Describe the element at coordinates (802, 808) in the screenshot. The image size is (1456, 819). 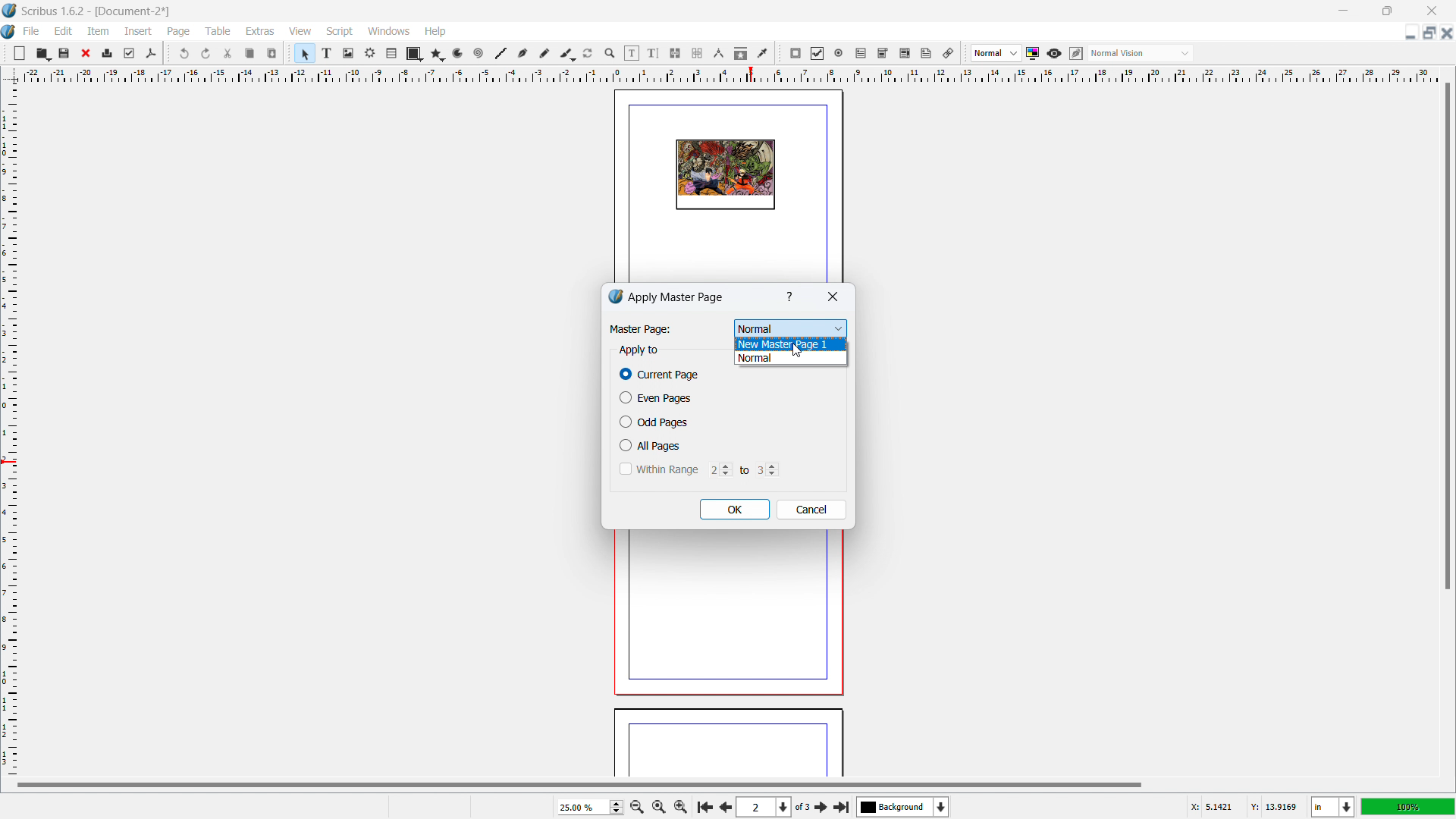
I see `of 3` at that location.